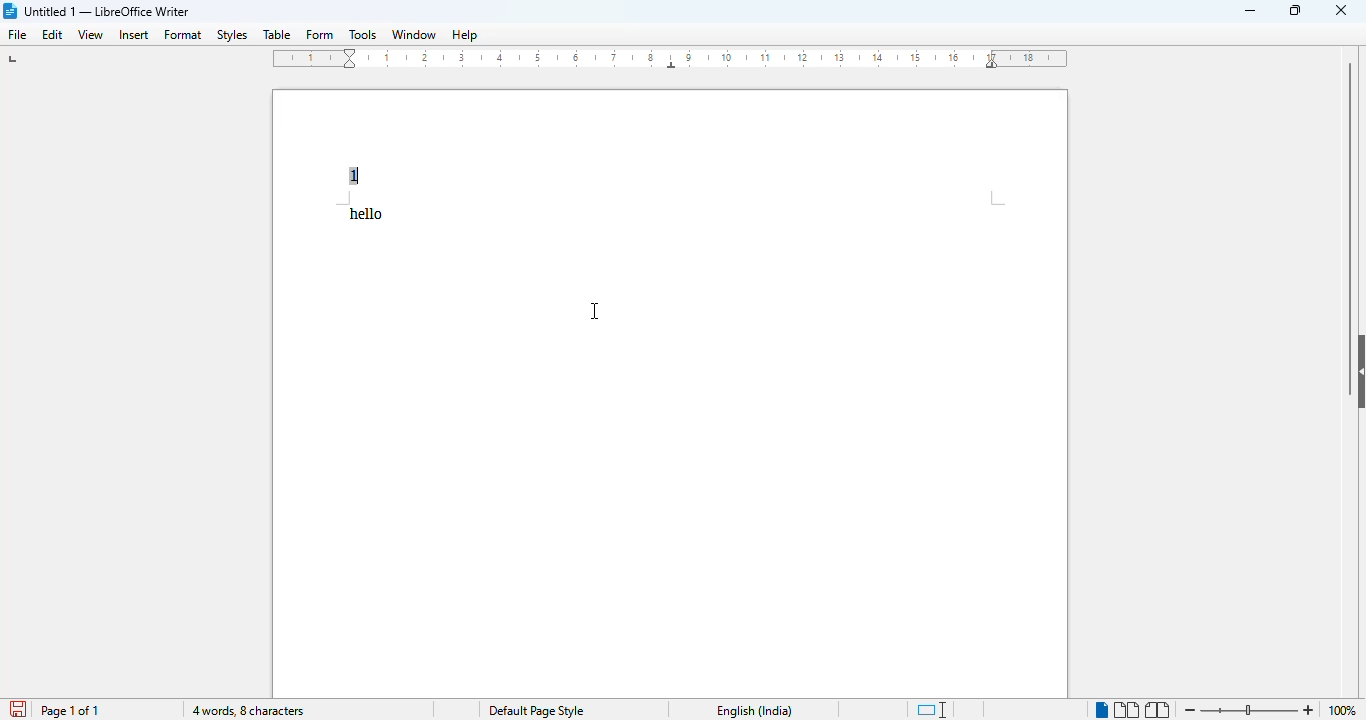 This screenshot has width=1366, height=720. I want to click on zoom out, so click(1190, 709).